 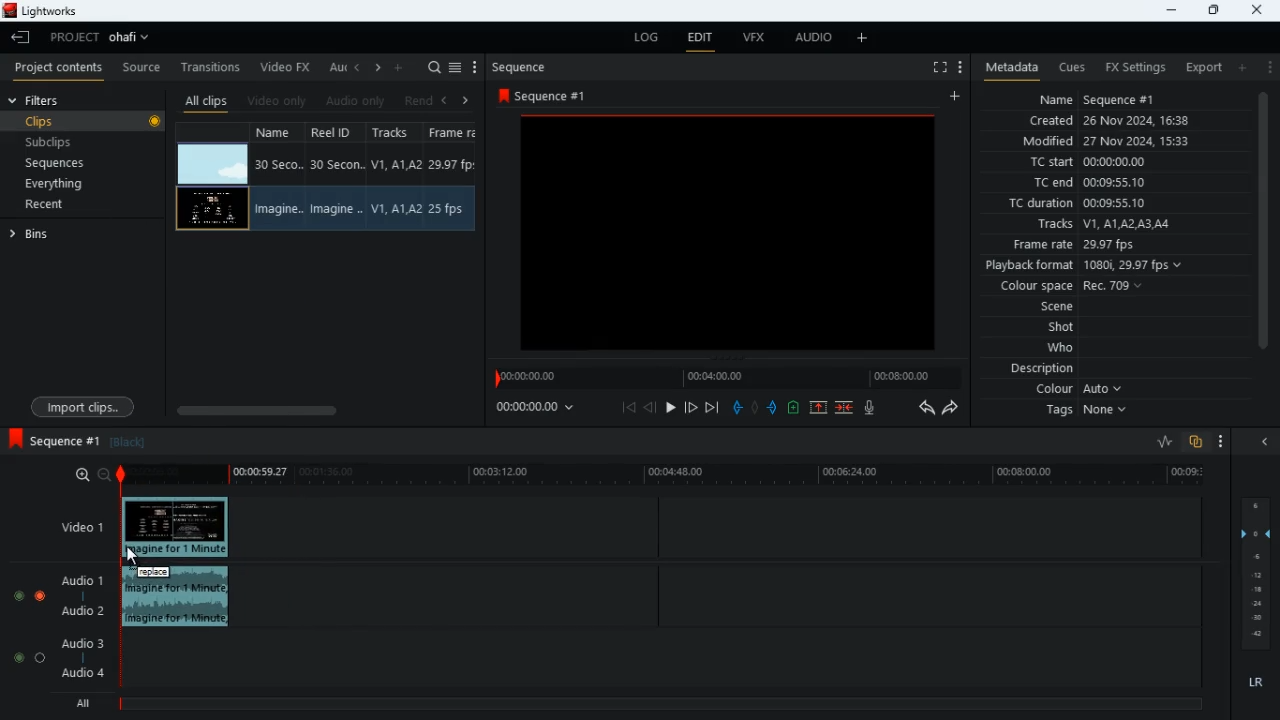 I want to click on close, so click(x=1268, y=442).